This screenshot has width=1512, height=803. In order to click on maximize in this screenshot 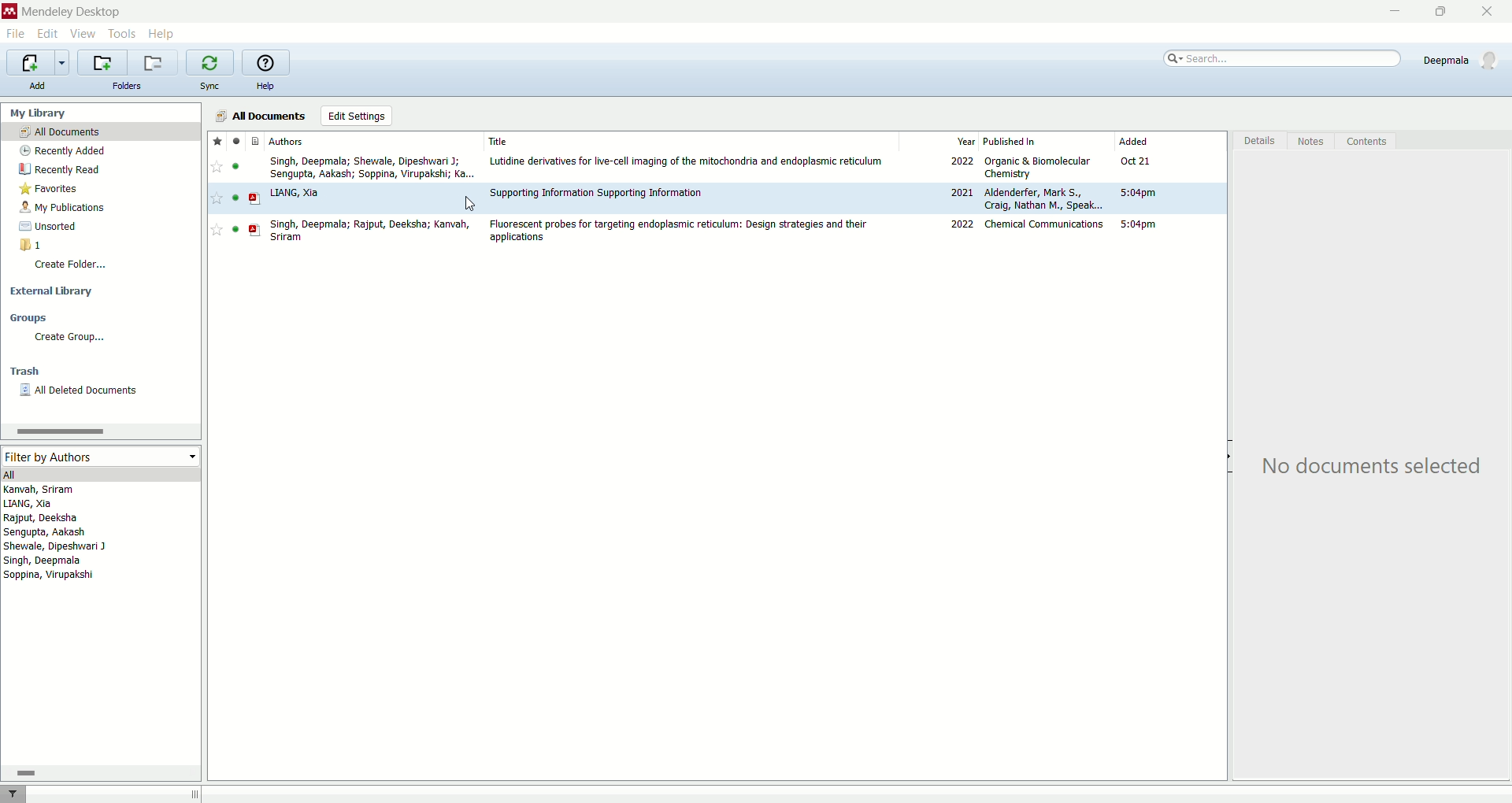, I will do `click(1447, 12)`.